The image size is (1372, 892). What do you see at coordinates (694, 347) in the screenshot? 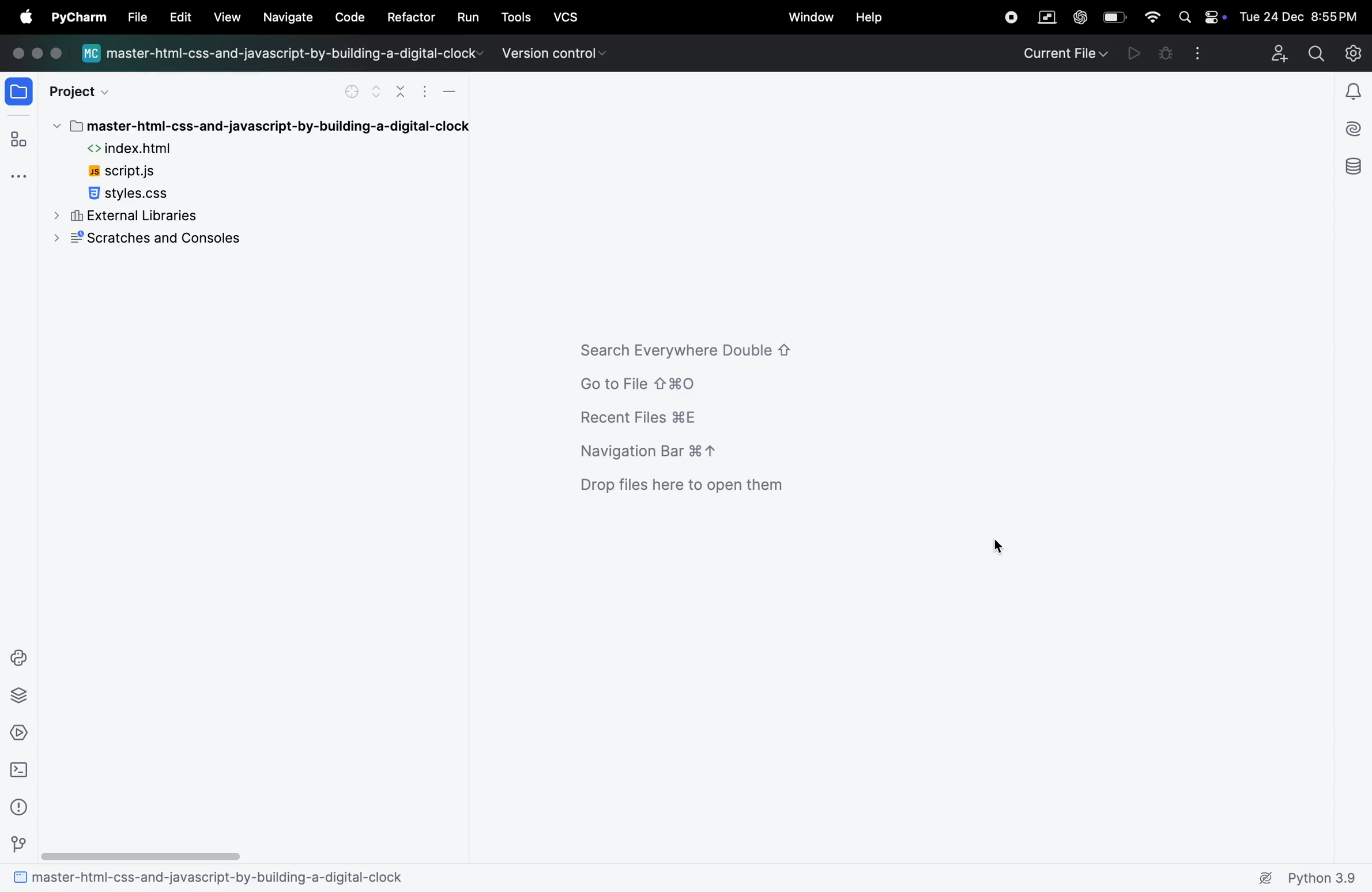
I see `Search Everywhere Double ` at bounding box center [694, 347].